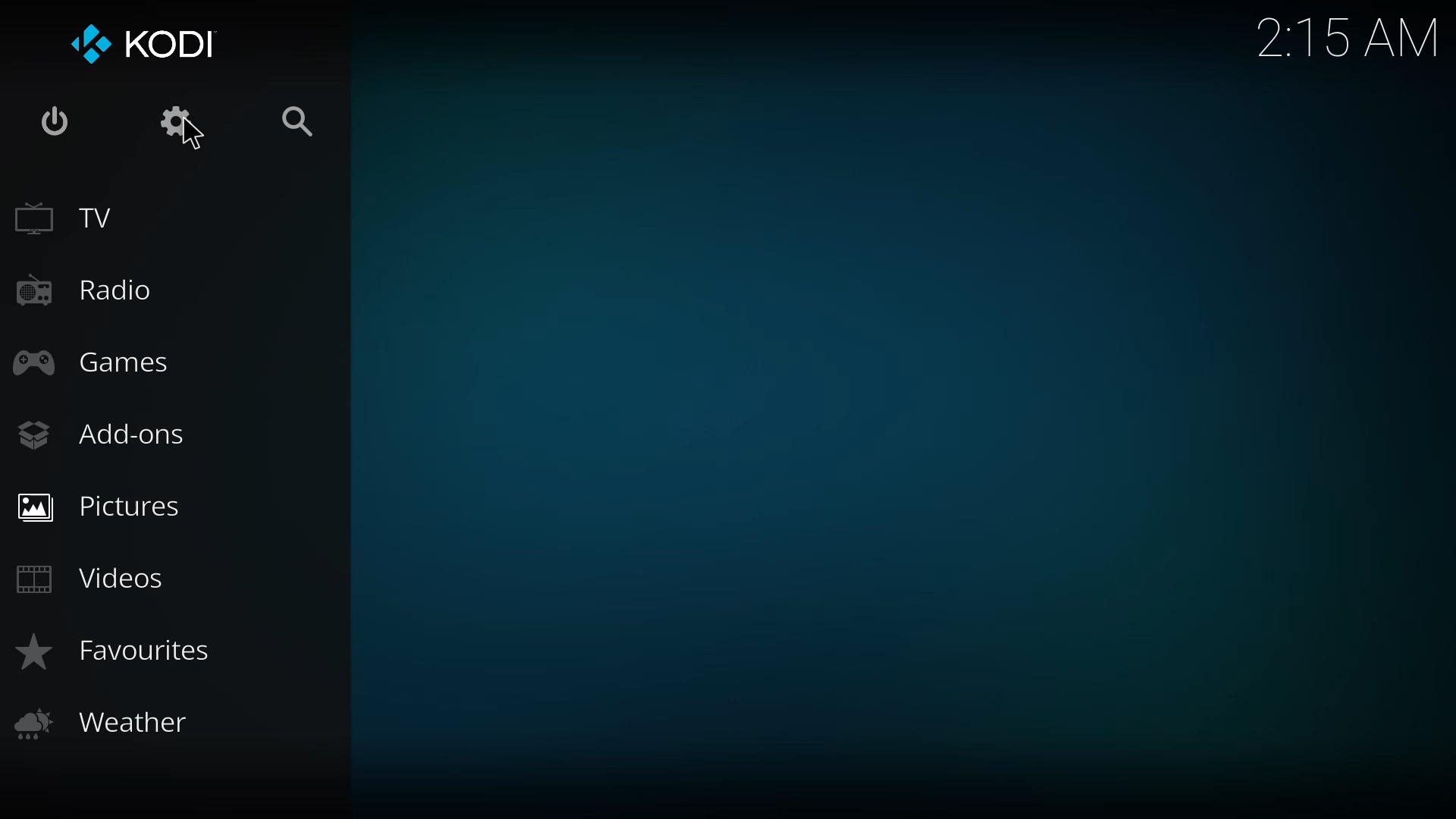 Image resolution: width=1456 pixels, height=819 pixels. I want to click on time, so click(1340, 34).